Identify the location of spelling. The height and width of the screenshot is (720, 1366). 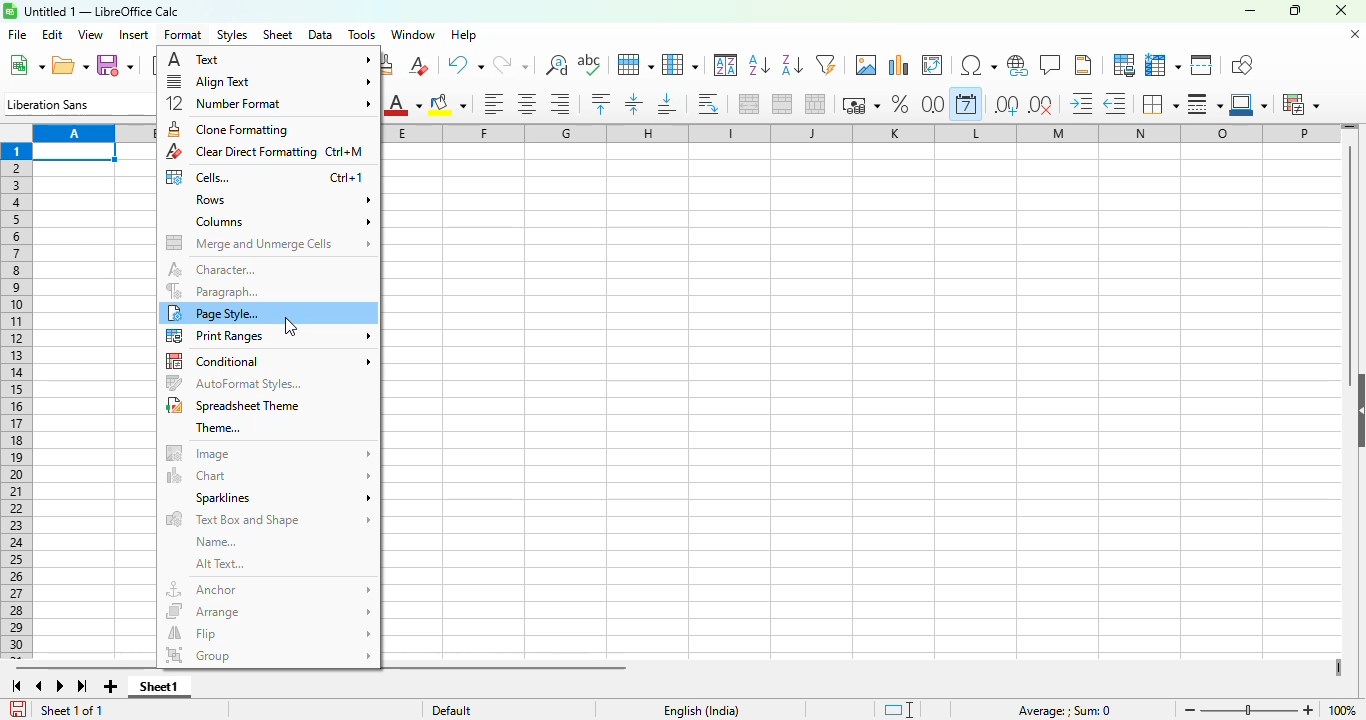
(590, 64).